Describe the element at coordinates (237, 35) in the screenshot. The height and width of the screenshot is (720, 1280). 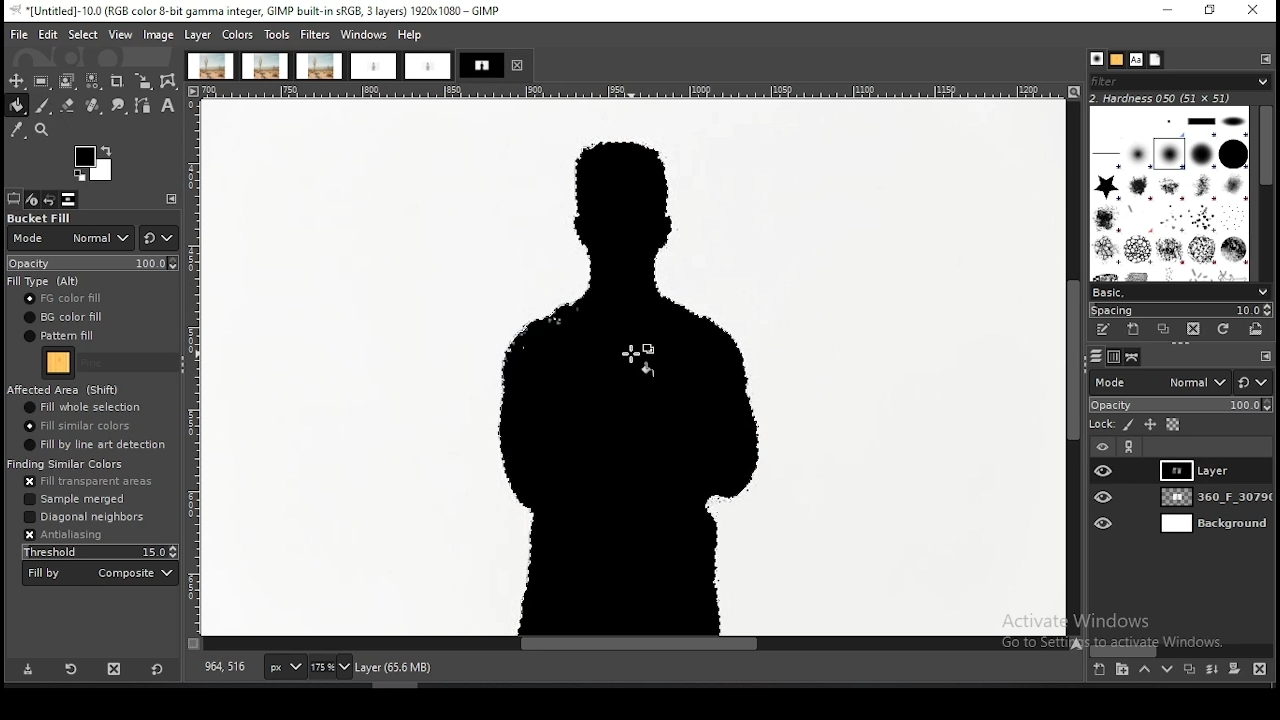
I see `colors` at that location.